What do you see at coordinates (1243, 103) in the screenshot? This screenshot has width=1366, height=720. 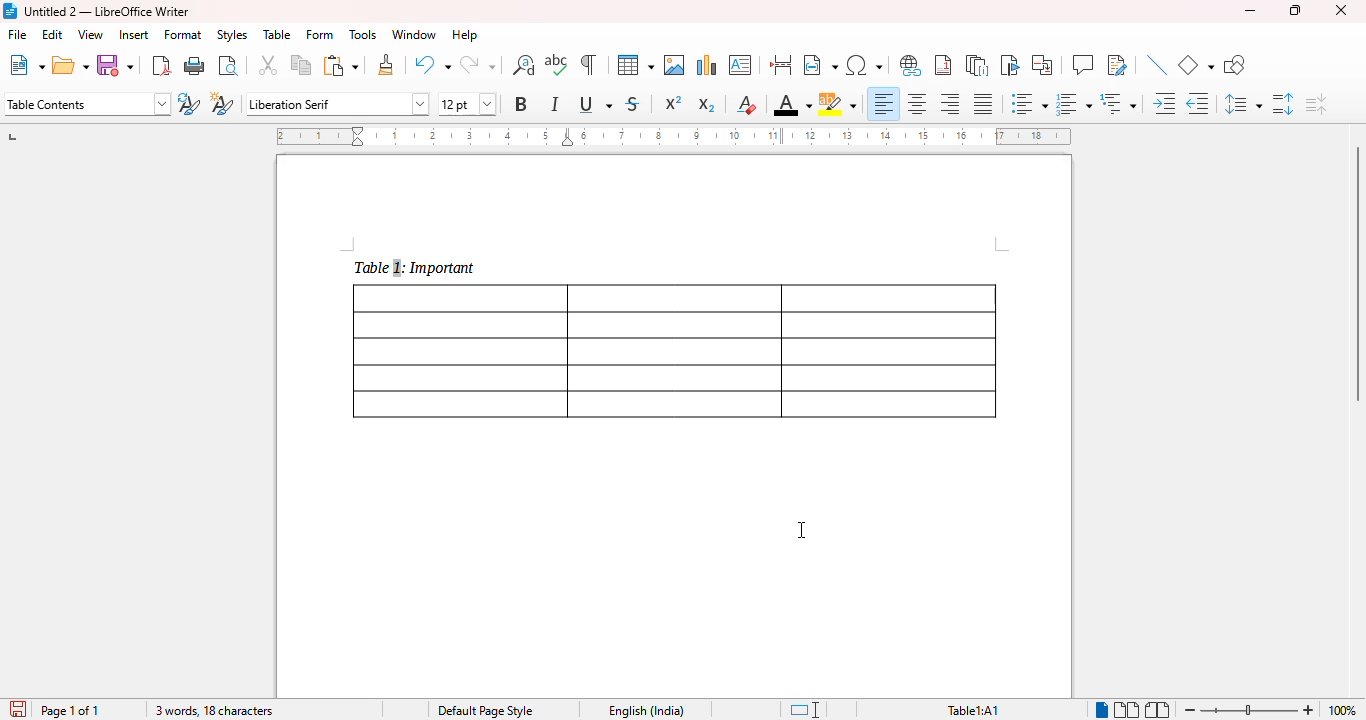 I see `set line spacing` at bounding box center [1243, 103].